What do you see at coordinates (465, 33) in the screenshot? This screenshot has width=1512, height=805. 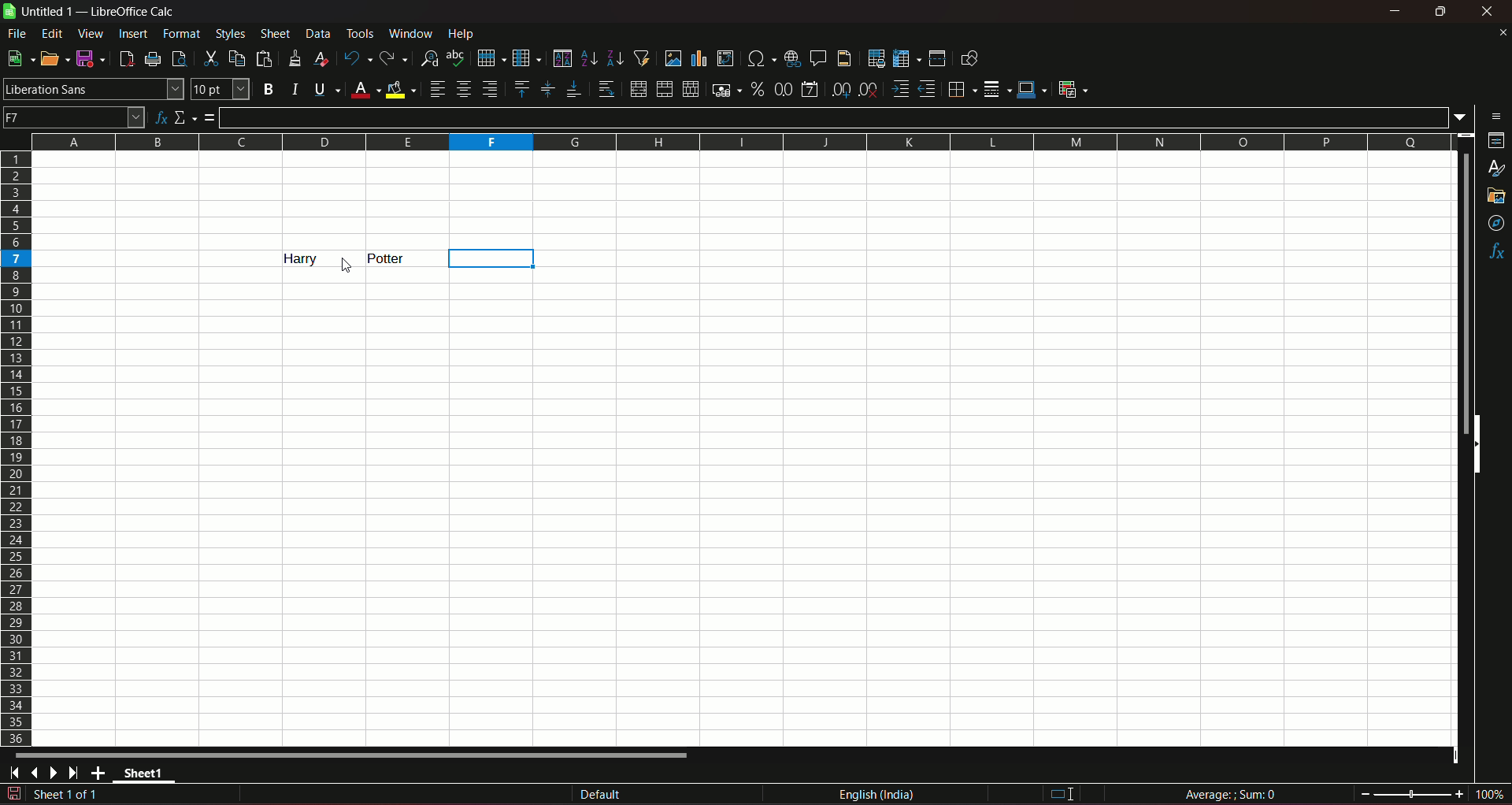 I see `help` at bounding box center [465, 33].